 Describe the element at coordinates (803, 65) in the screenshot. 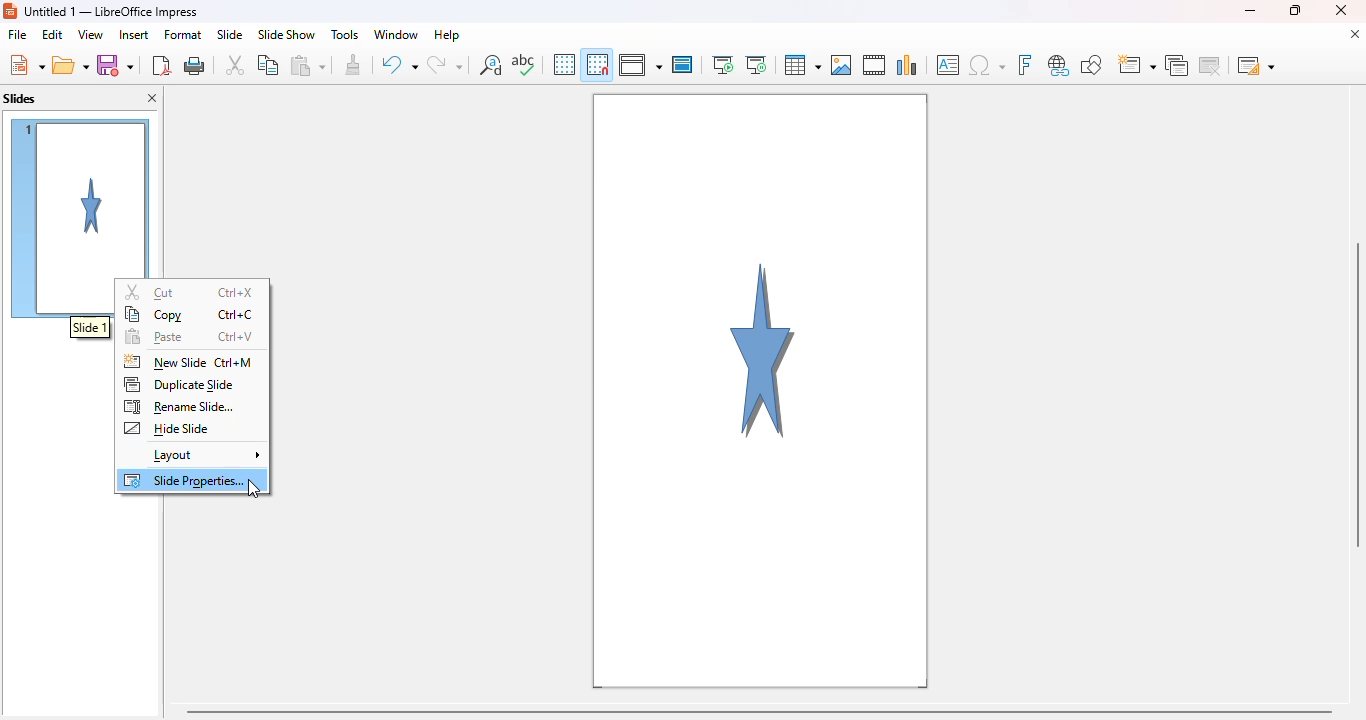

I see `table` at that location.